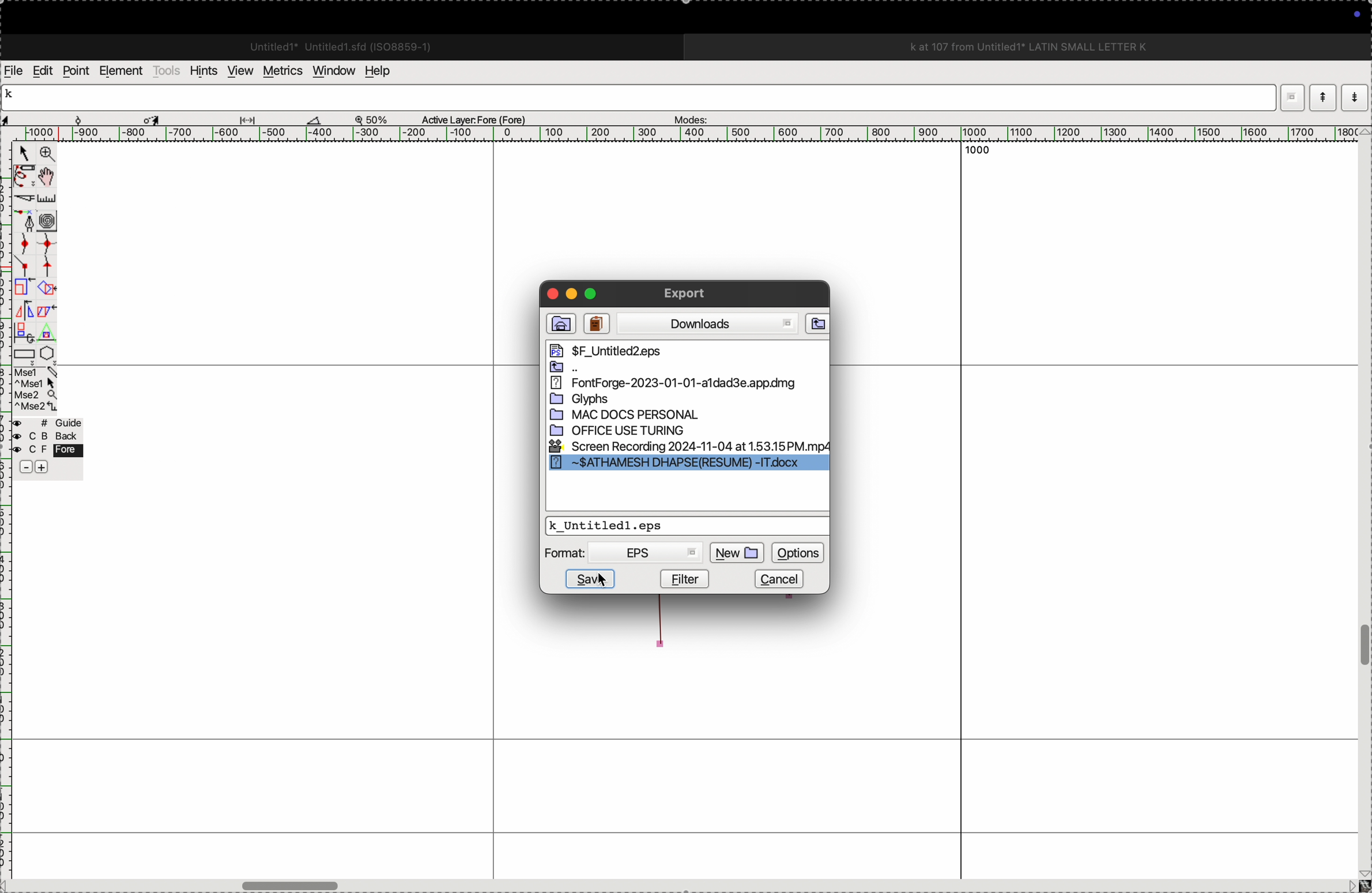  I want to click on modeup, so click(1322, 97).